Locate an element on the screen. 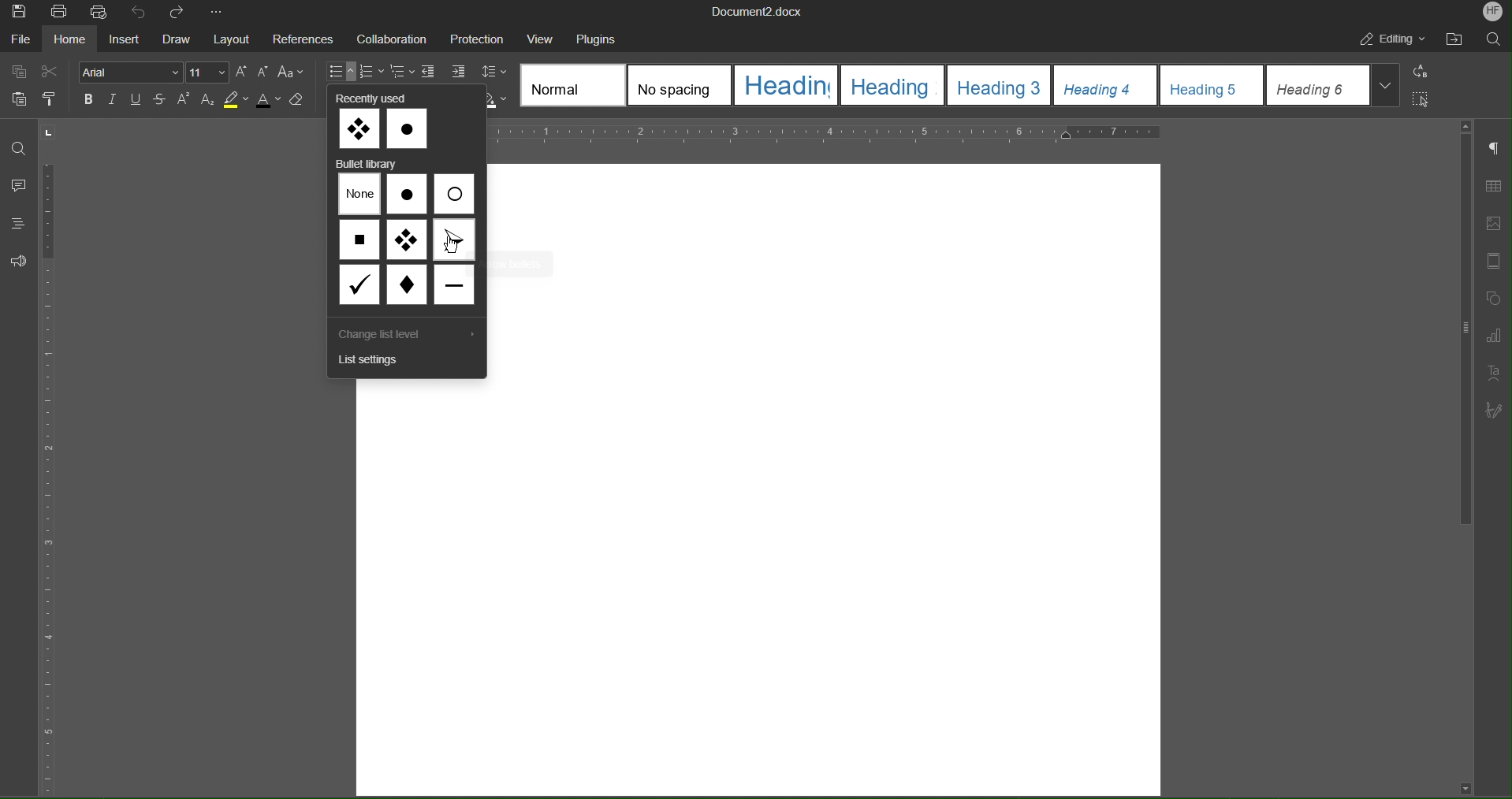 The height and width of the screenshot is (799, 1512). Paragraph Settings is located at coordinates (1492, 151).